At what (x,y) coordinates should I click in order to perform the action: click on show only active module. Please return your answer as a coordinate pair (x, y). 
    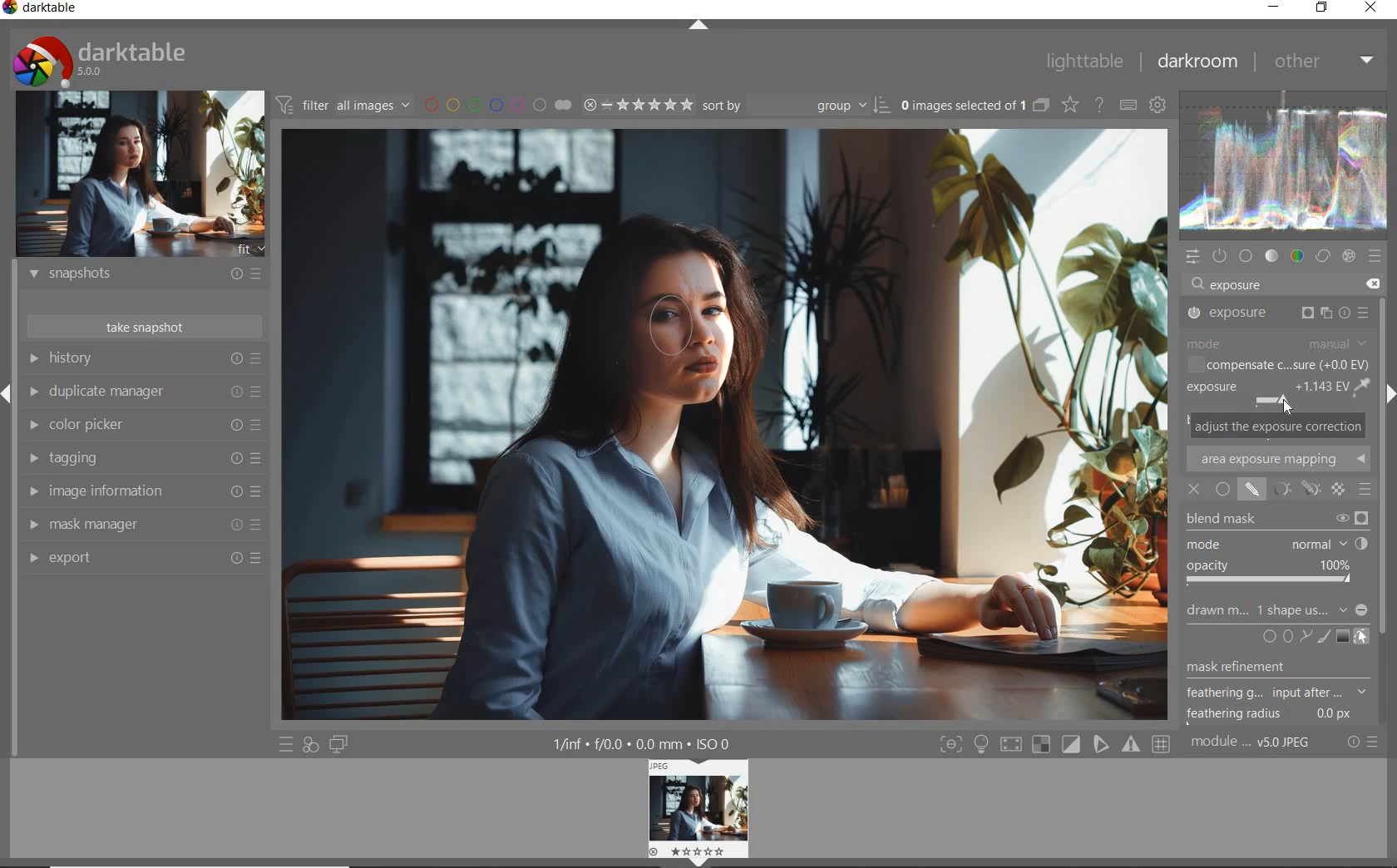
    Looking at the image, I should click on (1221, 255).